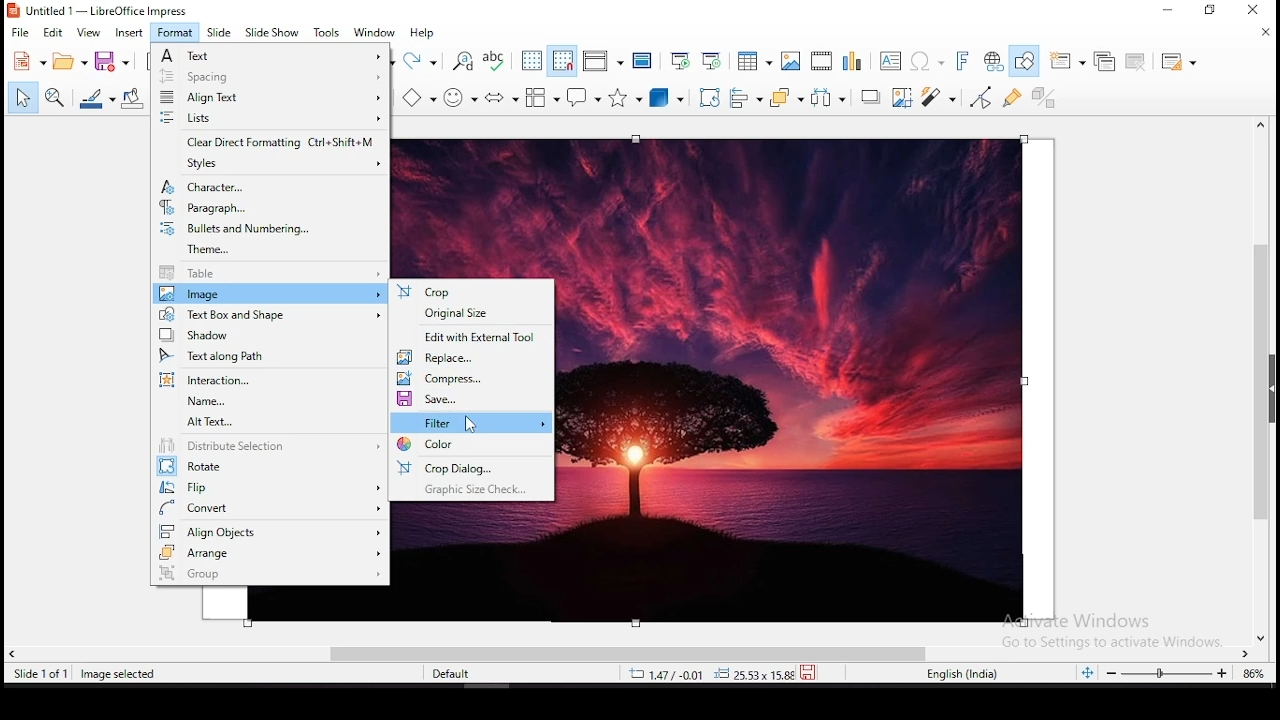 Image resolution: width=1280 pixels, height=720 pixels. What do you see at coordinates (272, 251) in the screenshot?
I see `theme` at bounding box center [272, 251].